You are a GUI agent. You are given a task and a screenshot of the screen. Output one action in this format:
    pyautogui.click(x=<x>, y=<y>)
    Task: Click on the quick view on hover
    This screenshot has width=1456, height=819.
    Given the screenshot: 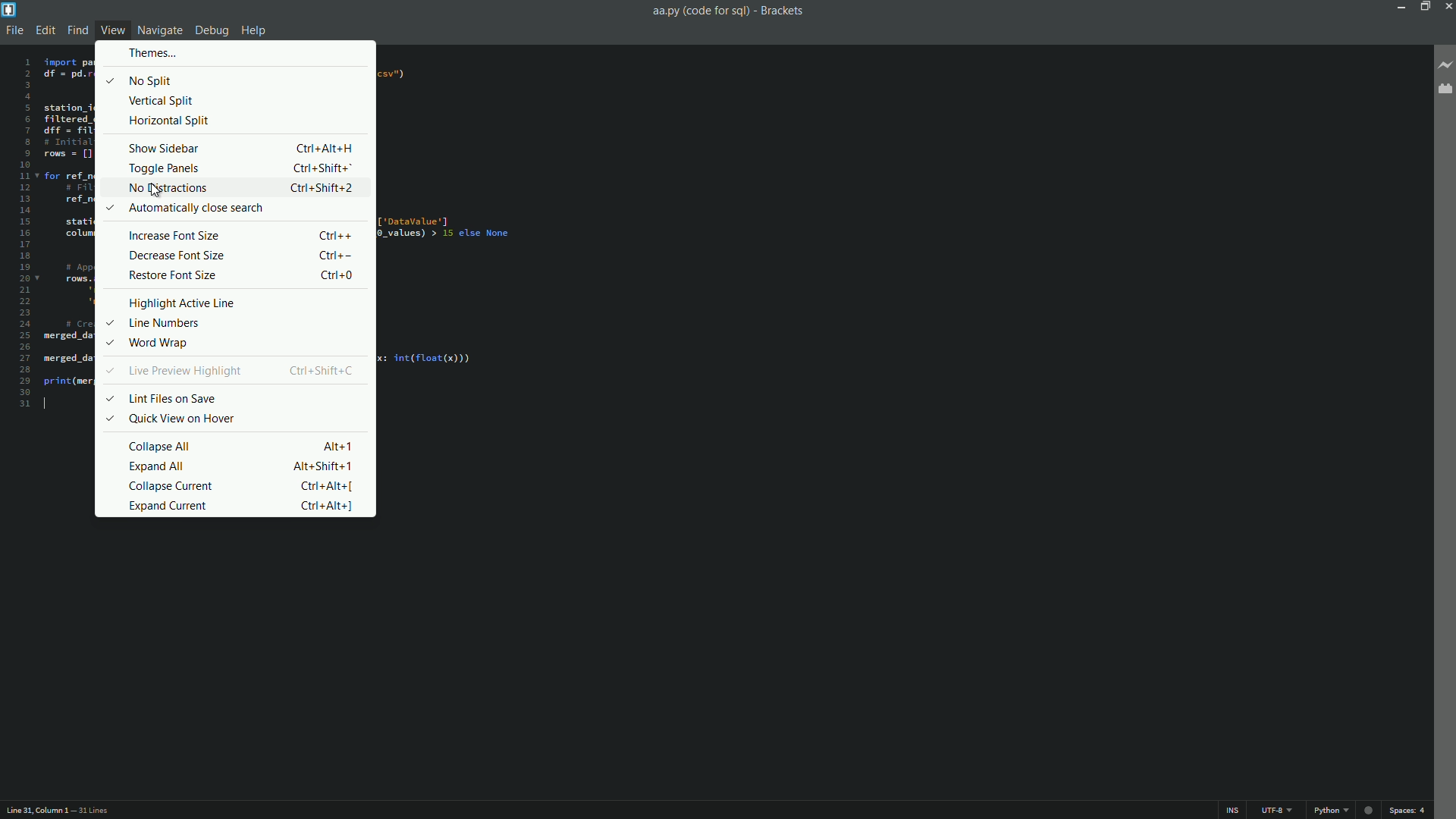 What is the action you would take?
    pyautogui.click(x=241, y=416)
    